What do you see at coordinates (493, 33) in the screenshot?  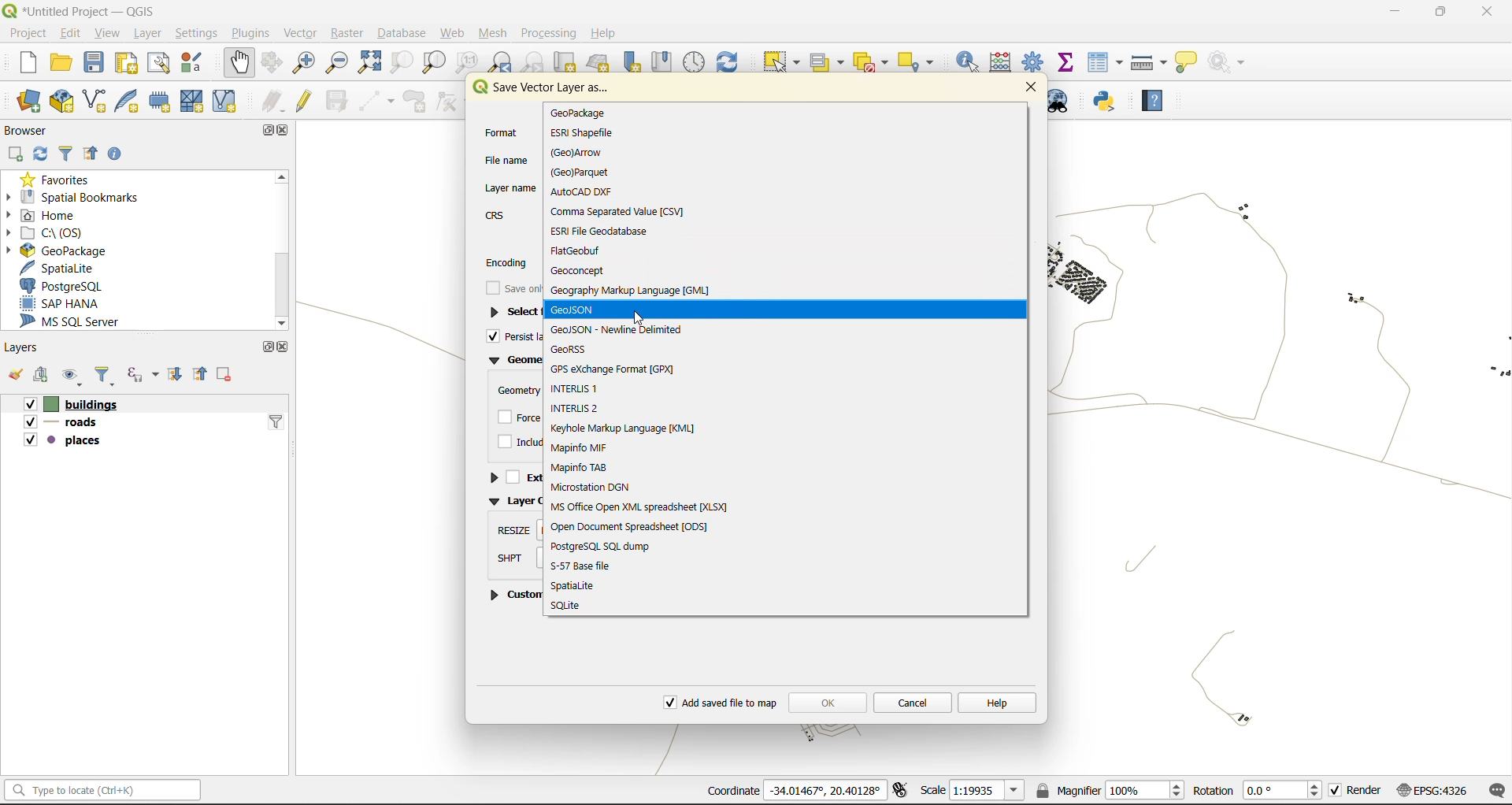 I see `mesh` at bounding box center [493, 33].